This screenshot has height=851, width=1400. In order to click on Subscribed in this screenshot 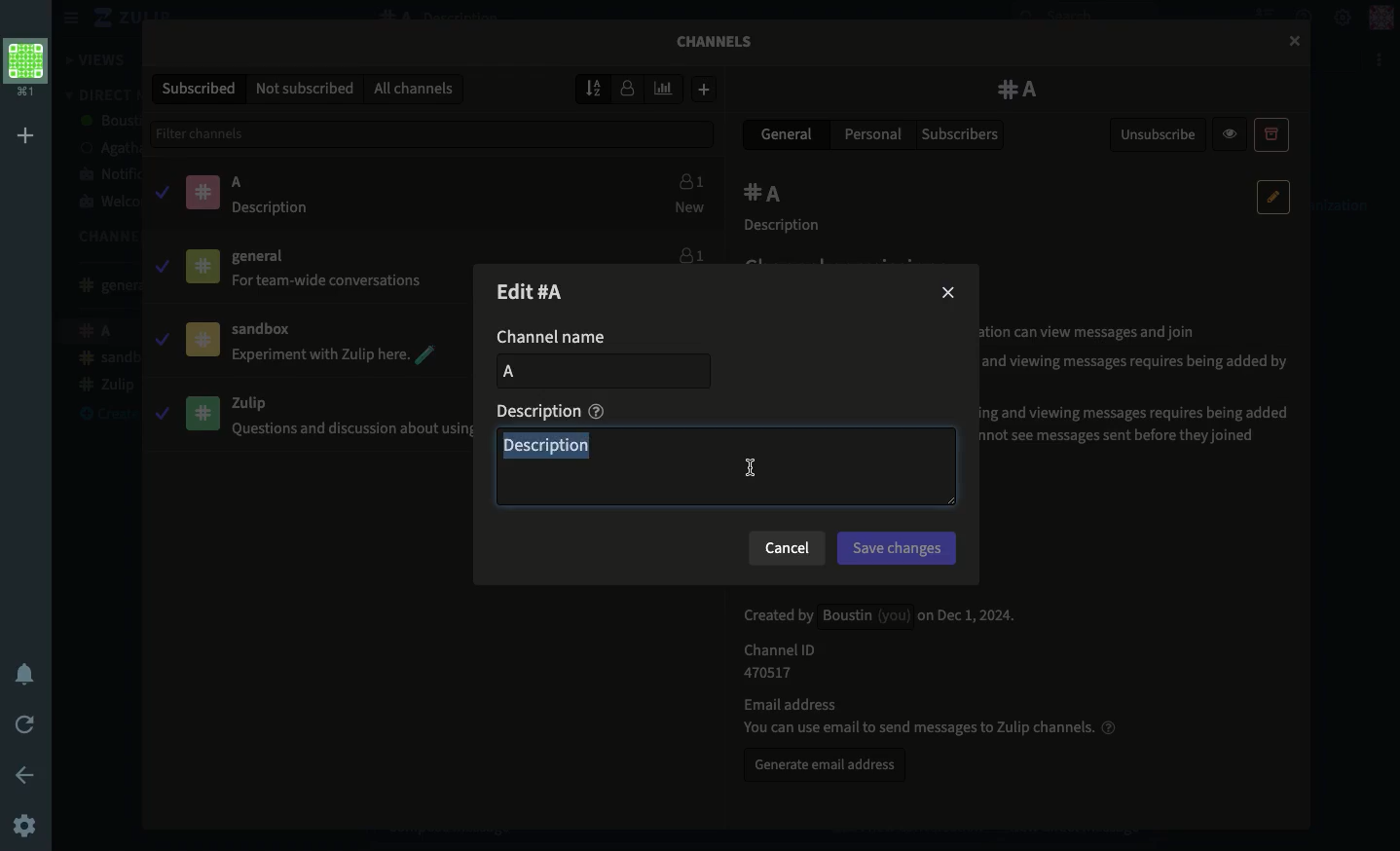, I will do `click(202, 89)`.